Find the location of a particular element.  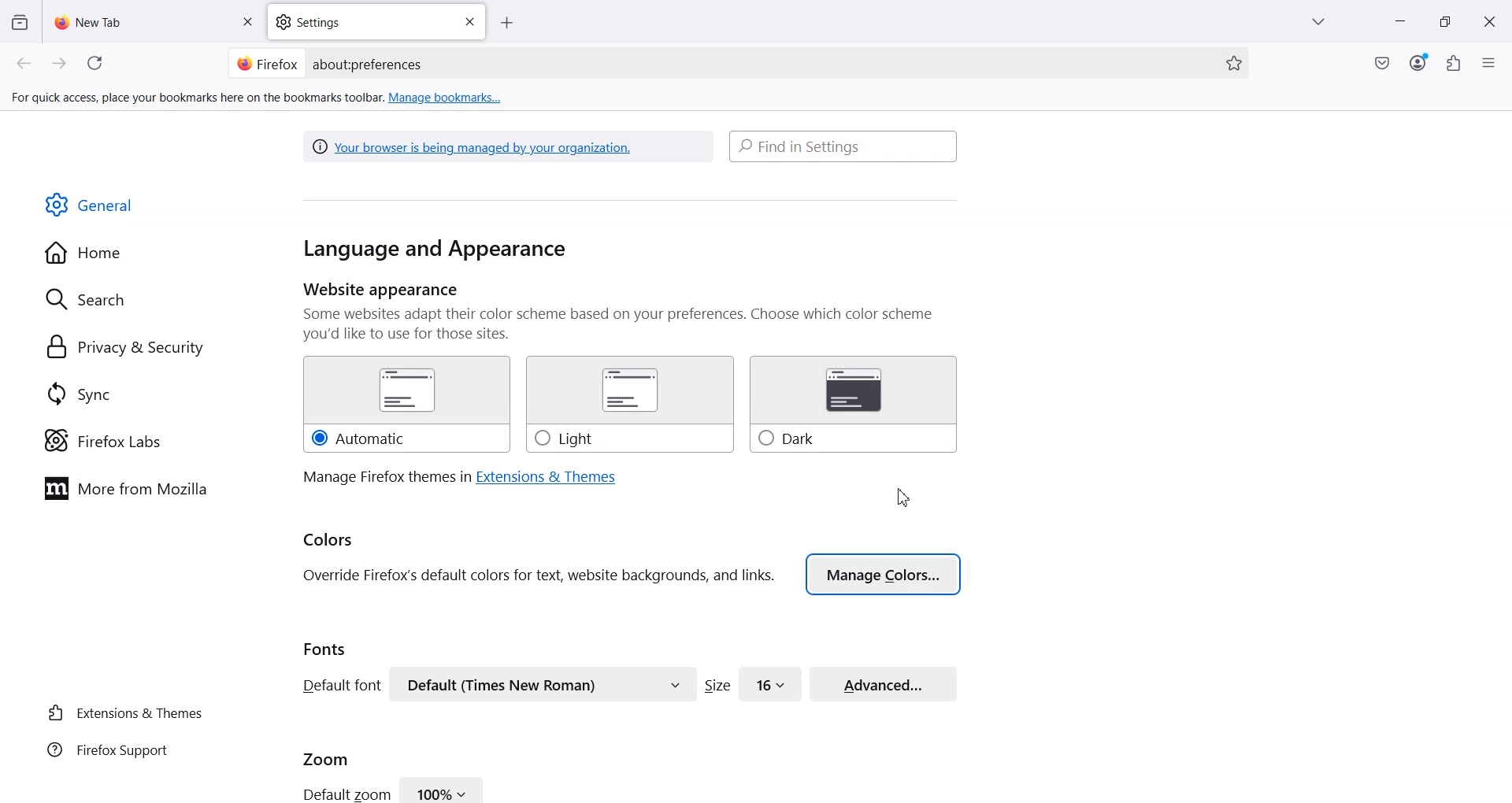

Cursor is located at coordinates (903, 496).